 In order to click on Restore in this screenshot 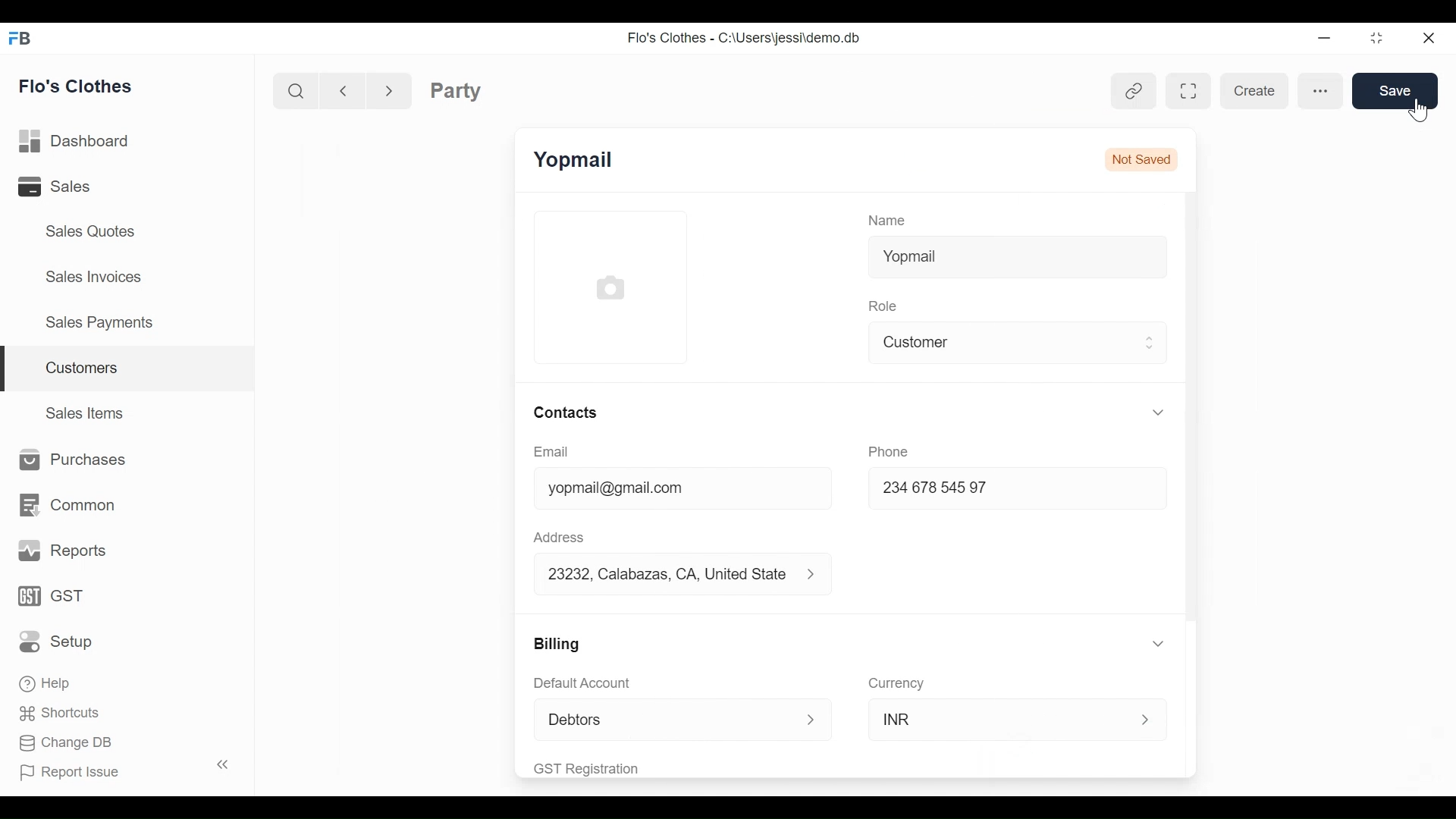, I will do `click(1372, 38)`.